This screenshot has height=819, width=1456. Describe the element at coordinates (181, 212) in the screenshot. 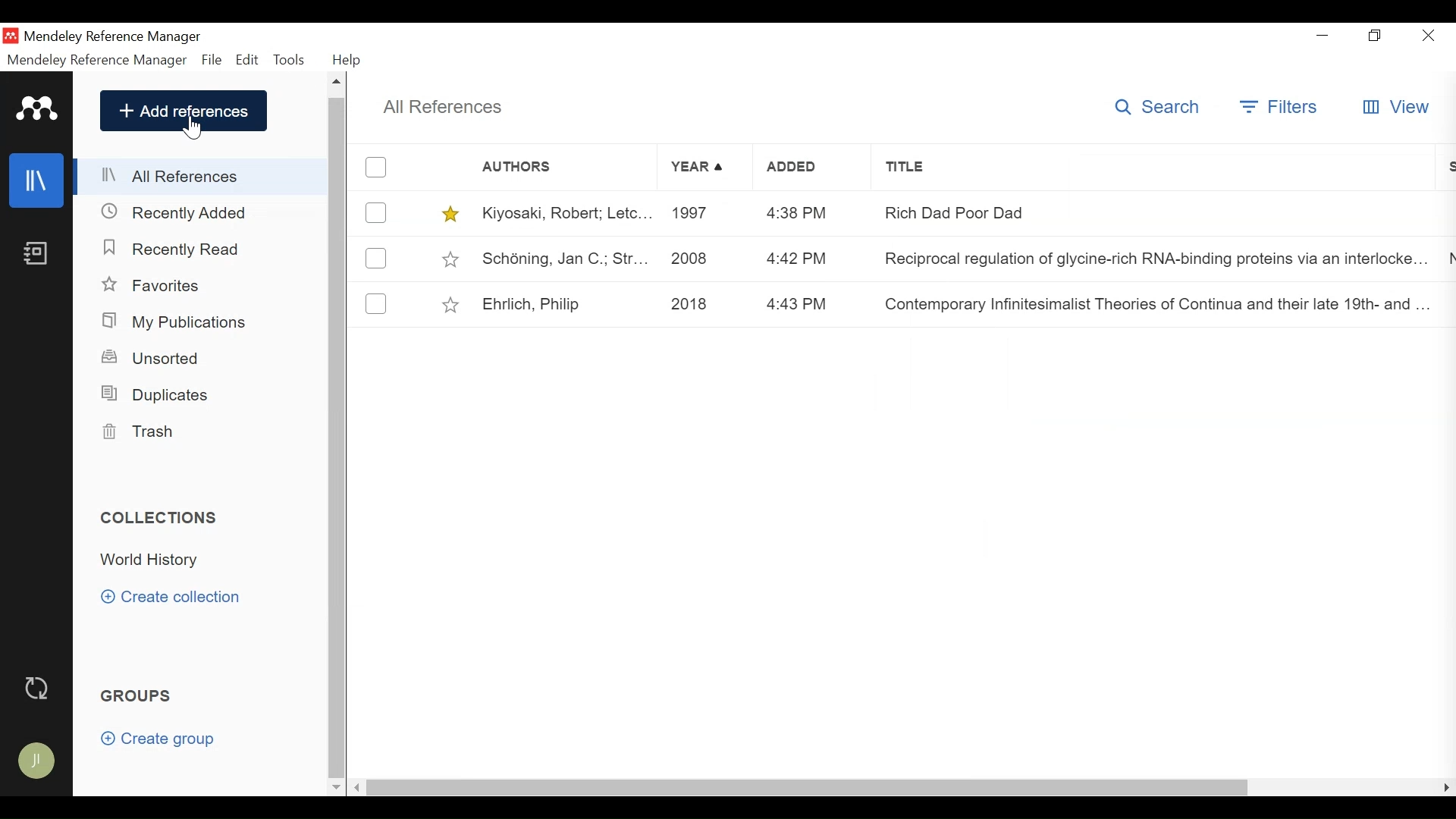

I see `Recently Added` at that location.